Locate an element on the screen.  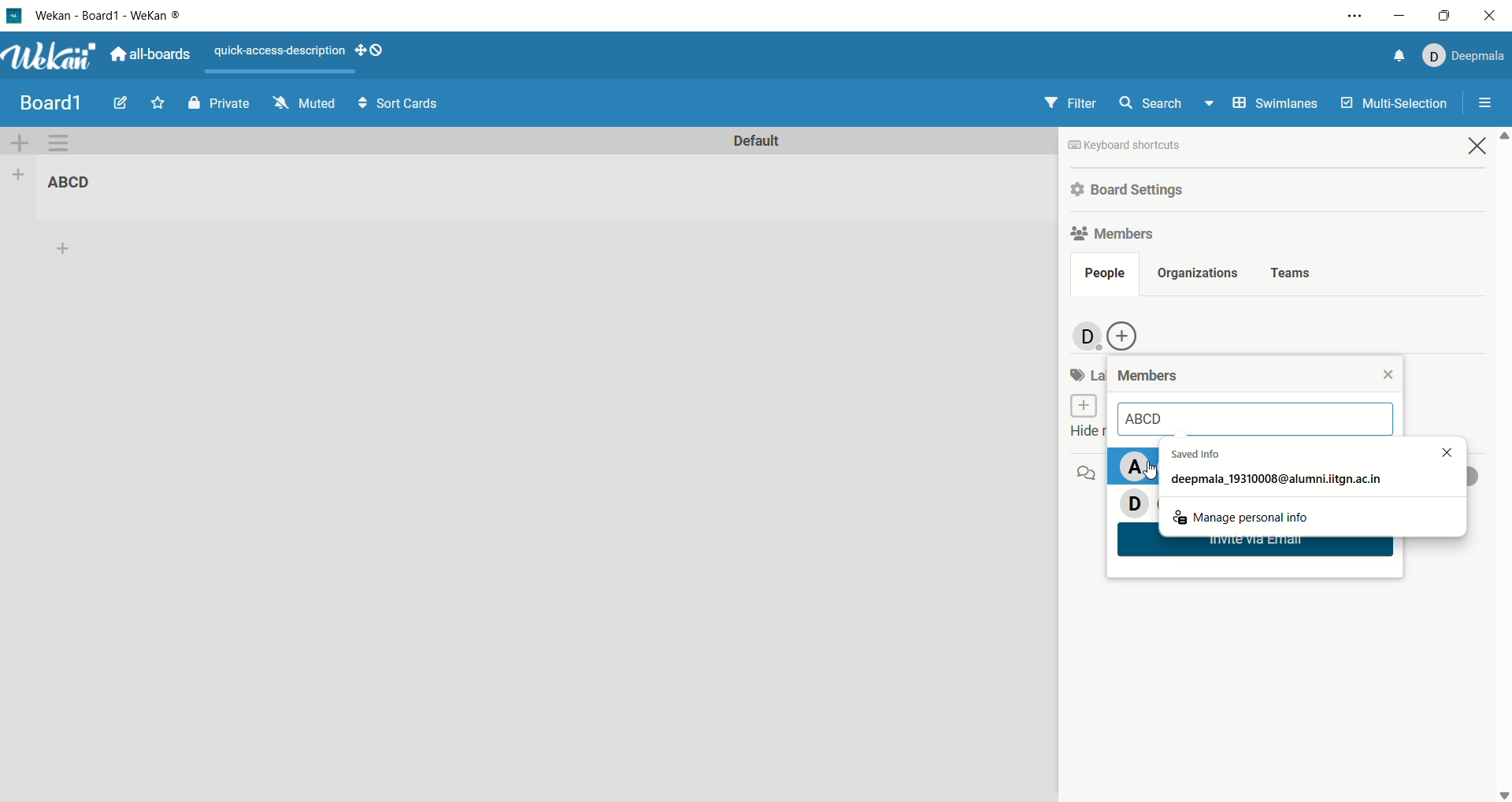
close is located at coordinates (1439, 451).